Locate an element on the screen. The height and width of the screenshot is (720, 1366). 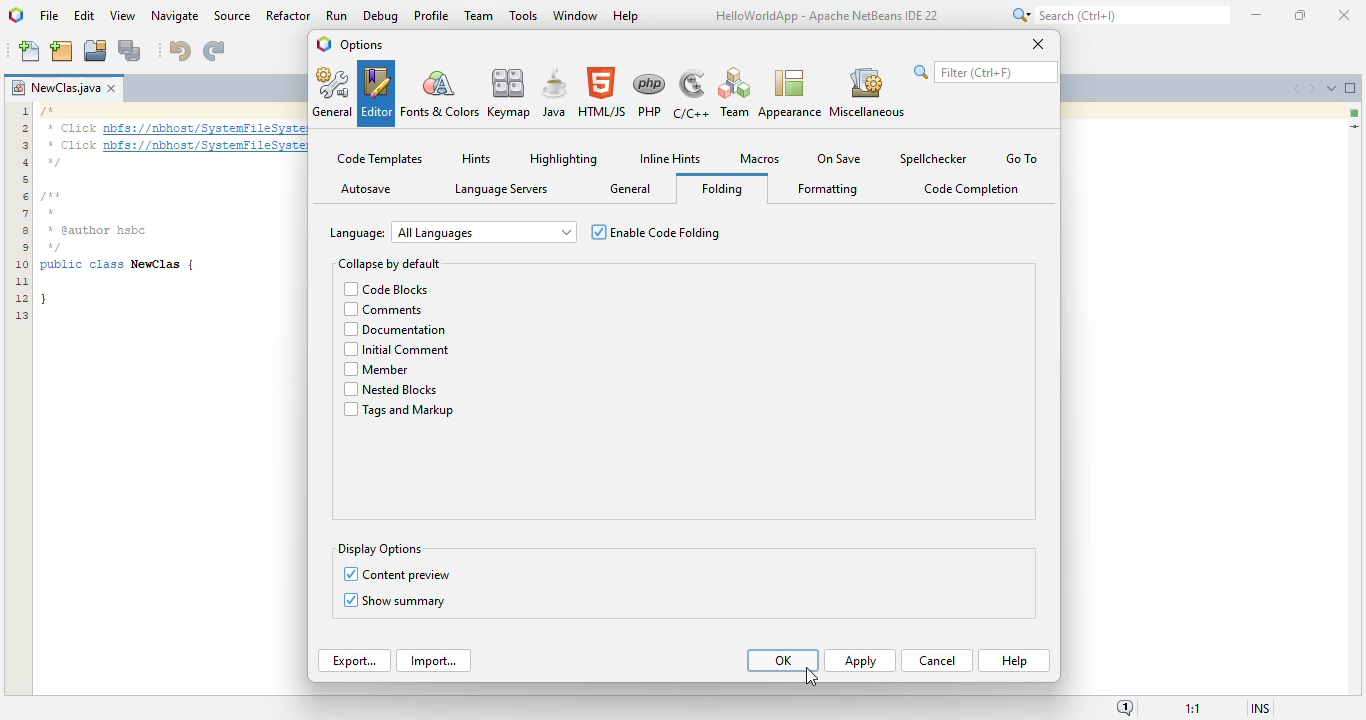
no errors is located at coordinates (1355, 113).